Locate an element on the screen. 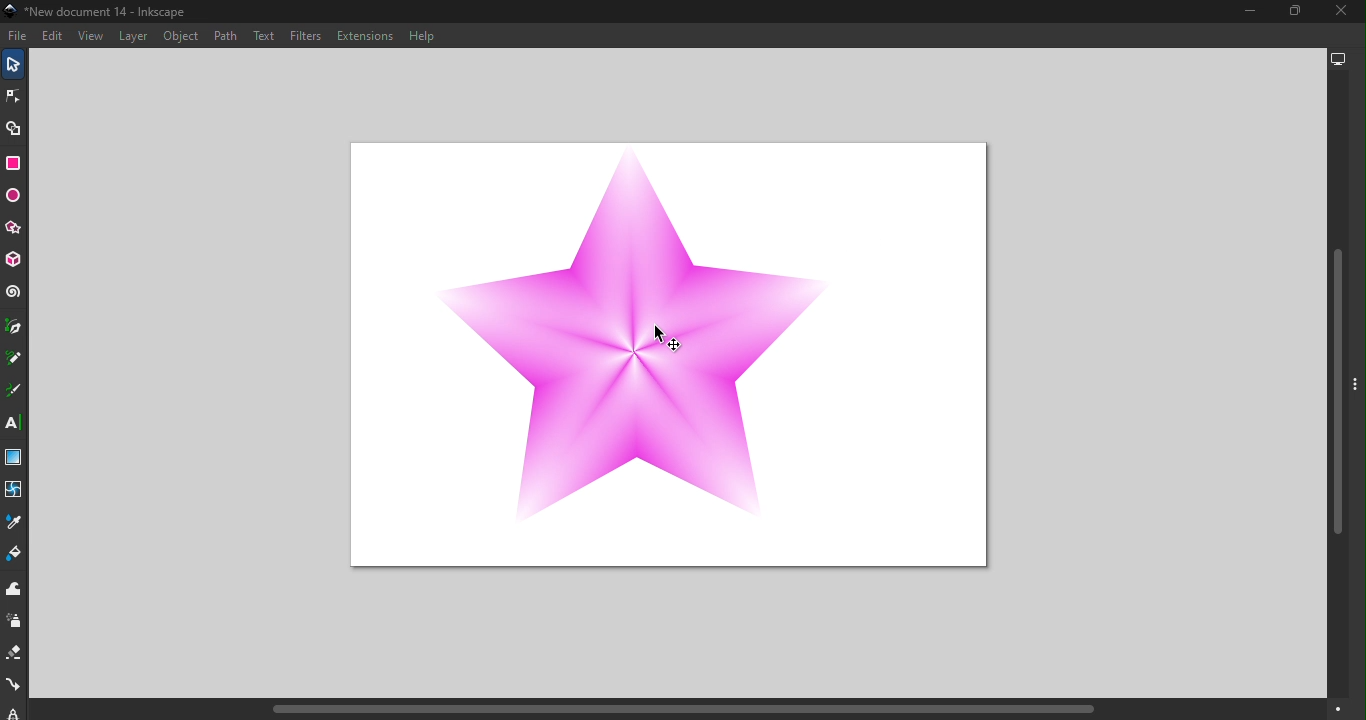 The height and width of the screenshot is (720, 1366). Dropper tool is located at coordinates (13, 521).